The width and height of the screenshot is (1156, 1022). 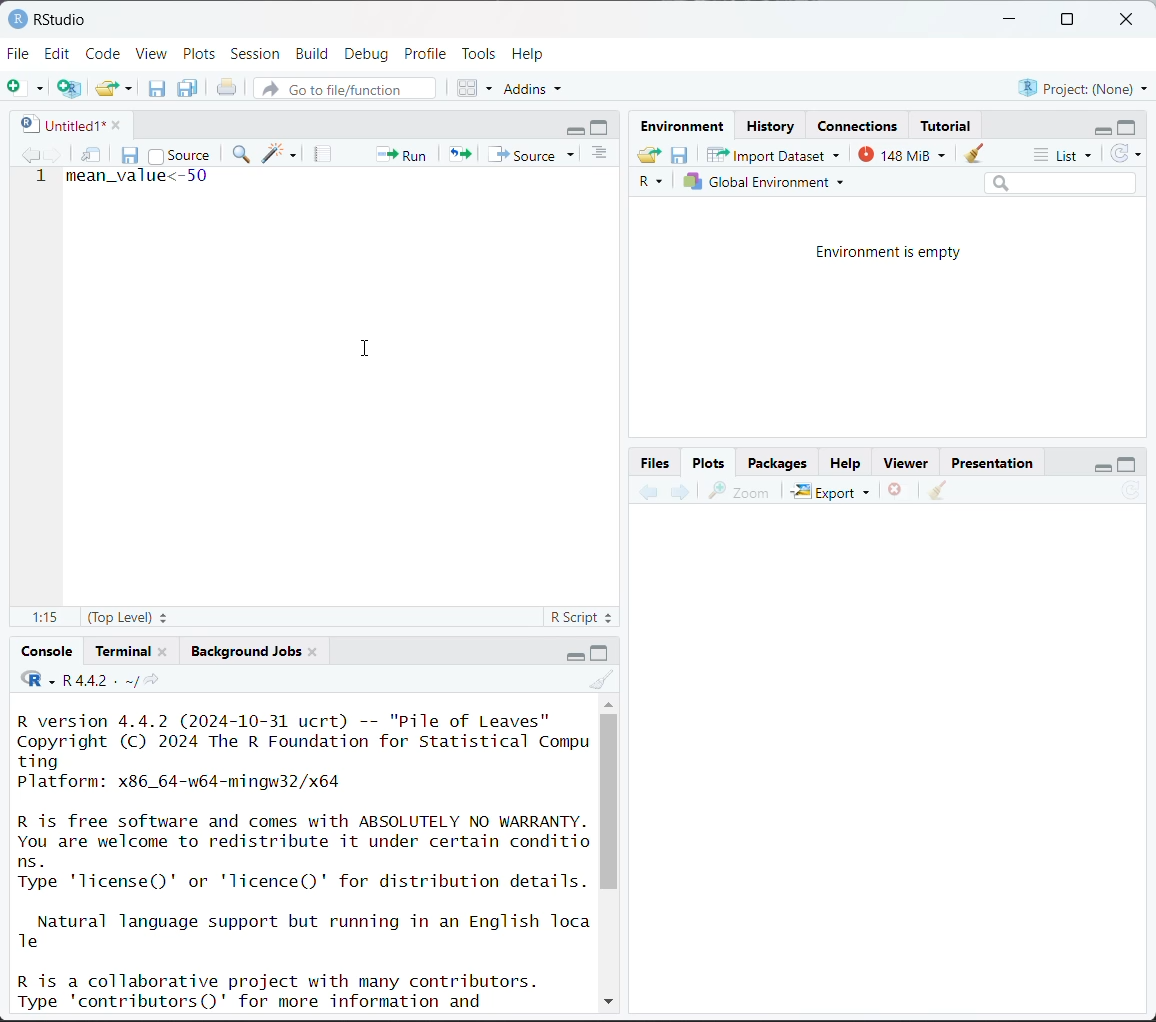 What do you see at coordinates (43, 618) in the screenshot?
I see `1:1` at bounding box center [43, 618].